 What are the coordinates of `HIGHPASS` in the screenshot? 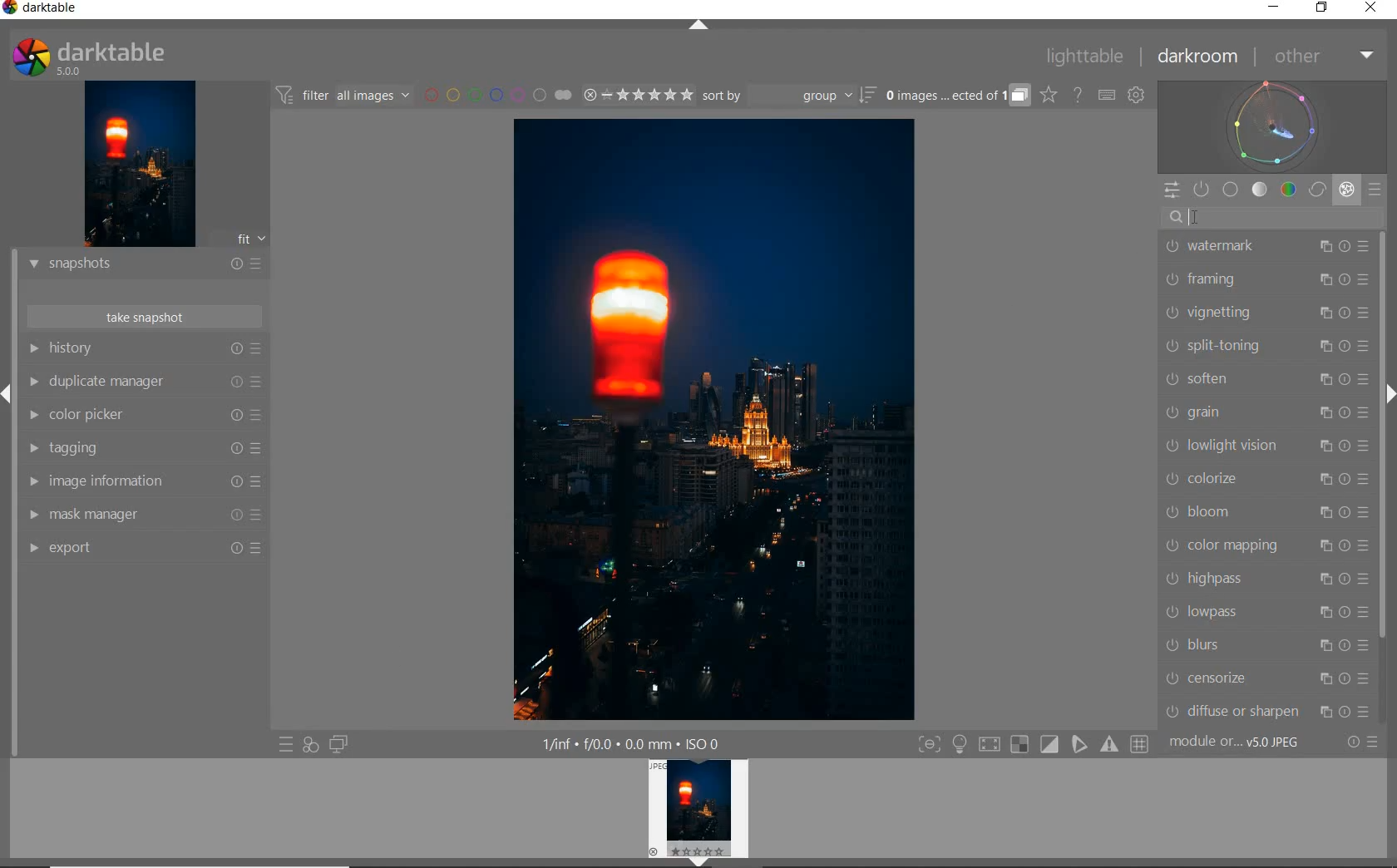 It's located at (1221, 578).